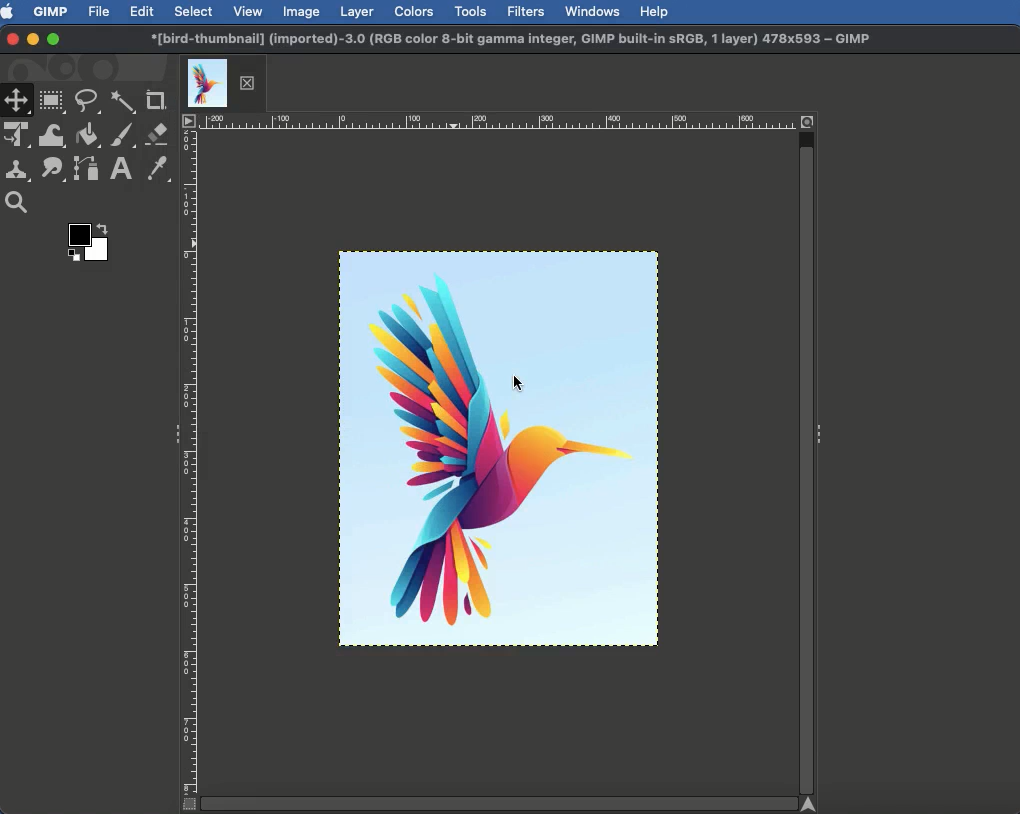  I want to click on Magnify, so click(19, 202).